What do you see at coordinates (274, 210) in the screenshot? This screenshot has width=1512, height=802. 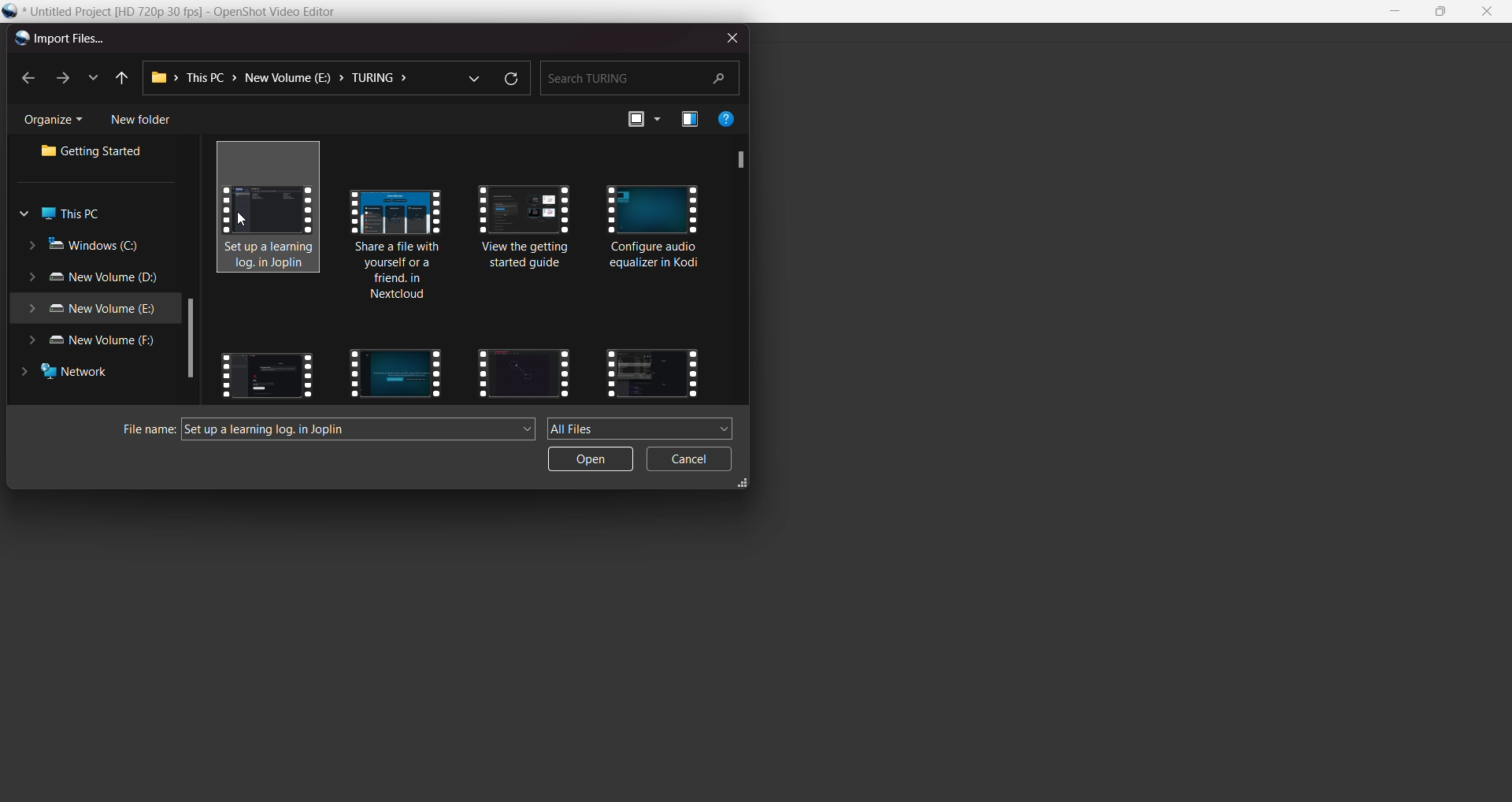 I see `selected video` at bounding box center [274, 210].